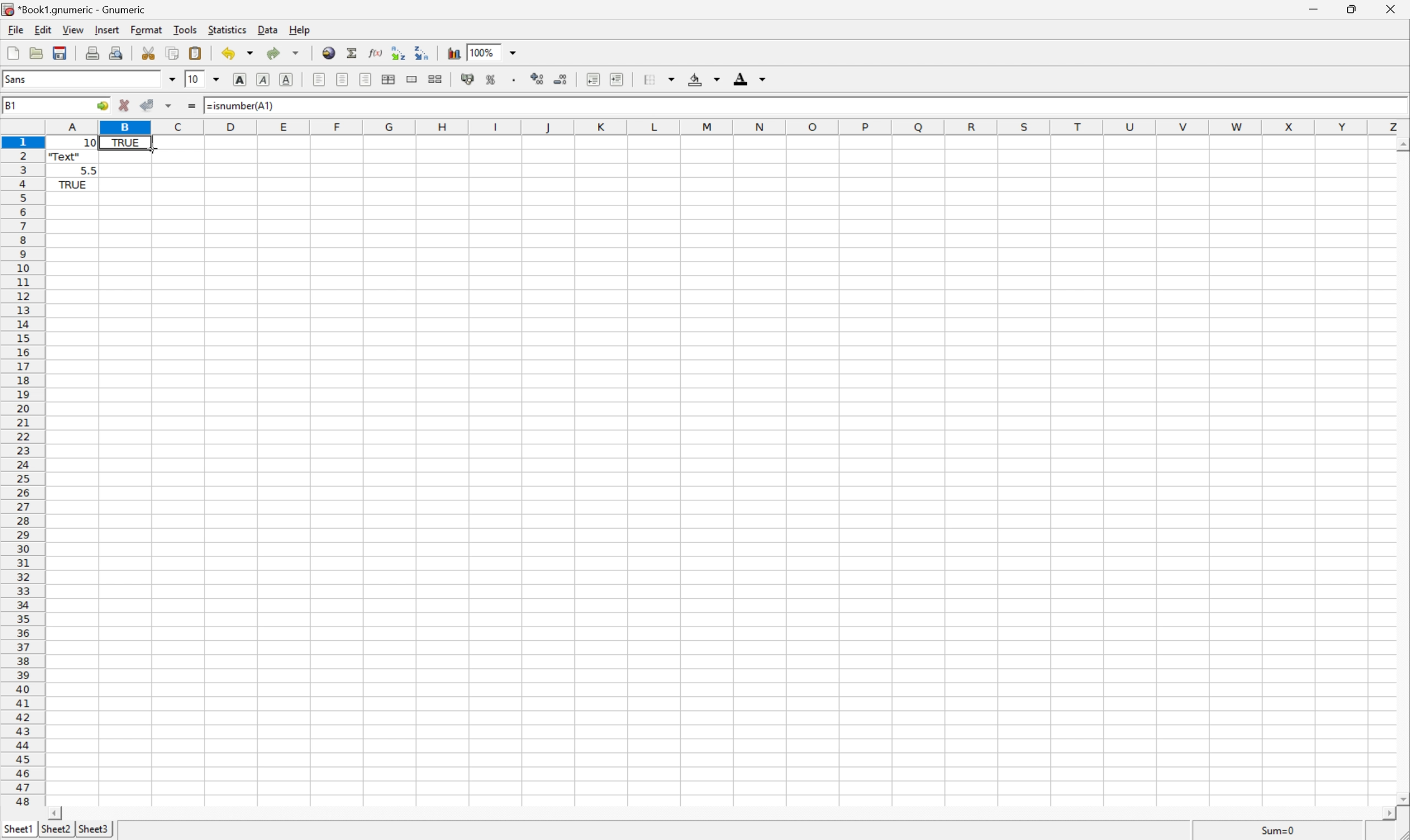 The width and height of the screenshot is (1410, 840). Describe the element at coordinates (490, 79) in the screenshot. I see `Format selection as percentage` at that location.